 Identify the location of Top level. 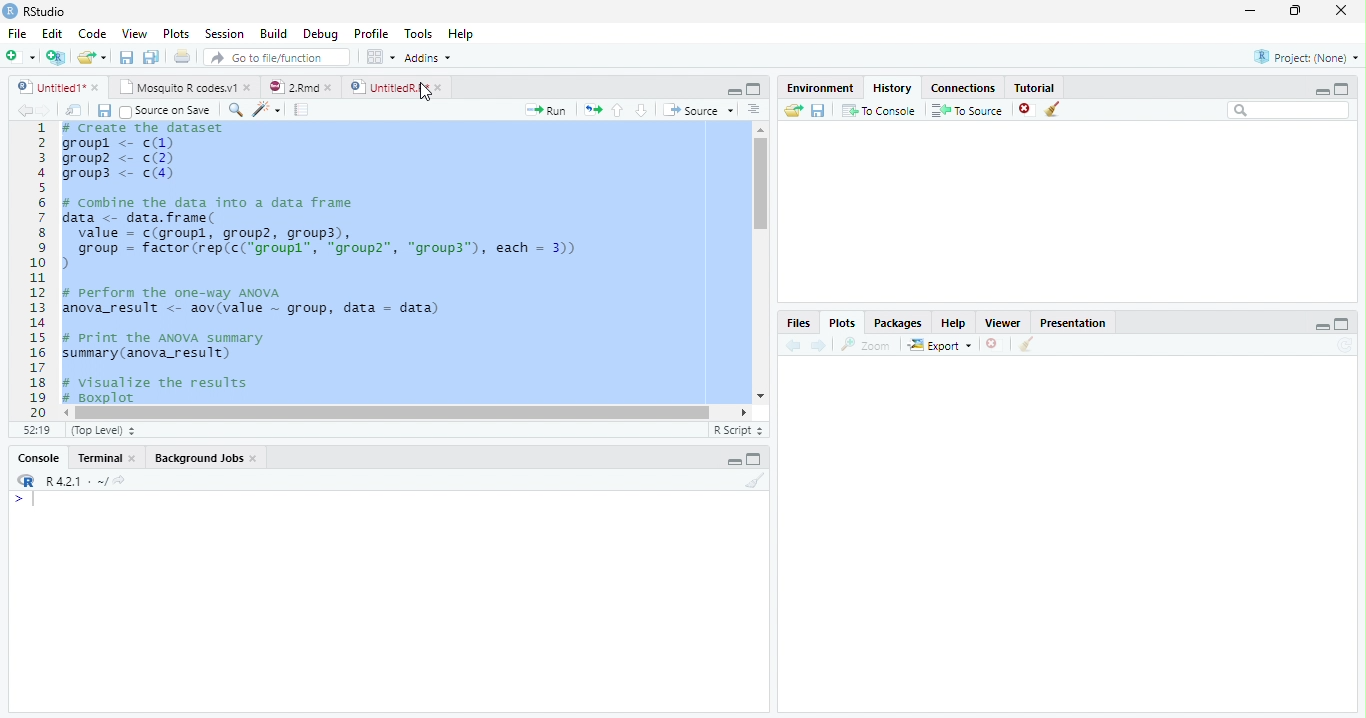
(107, 433).